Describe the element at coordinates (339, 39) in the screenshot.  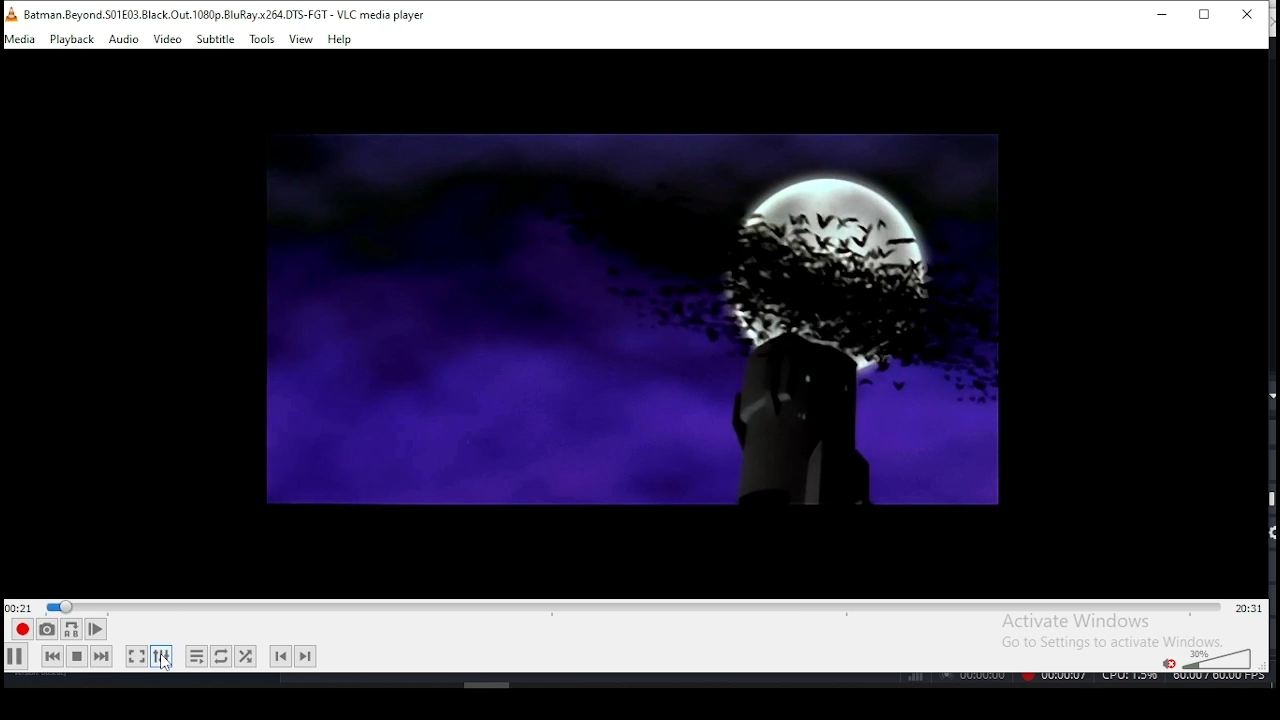
I see `help` at that location.